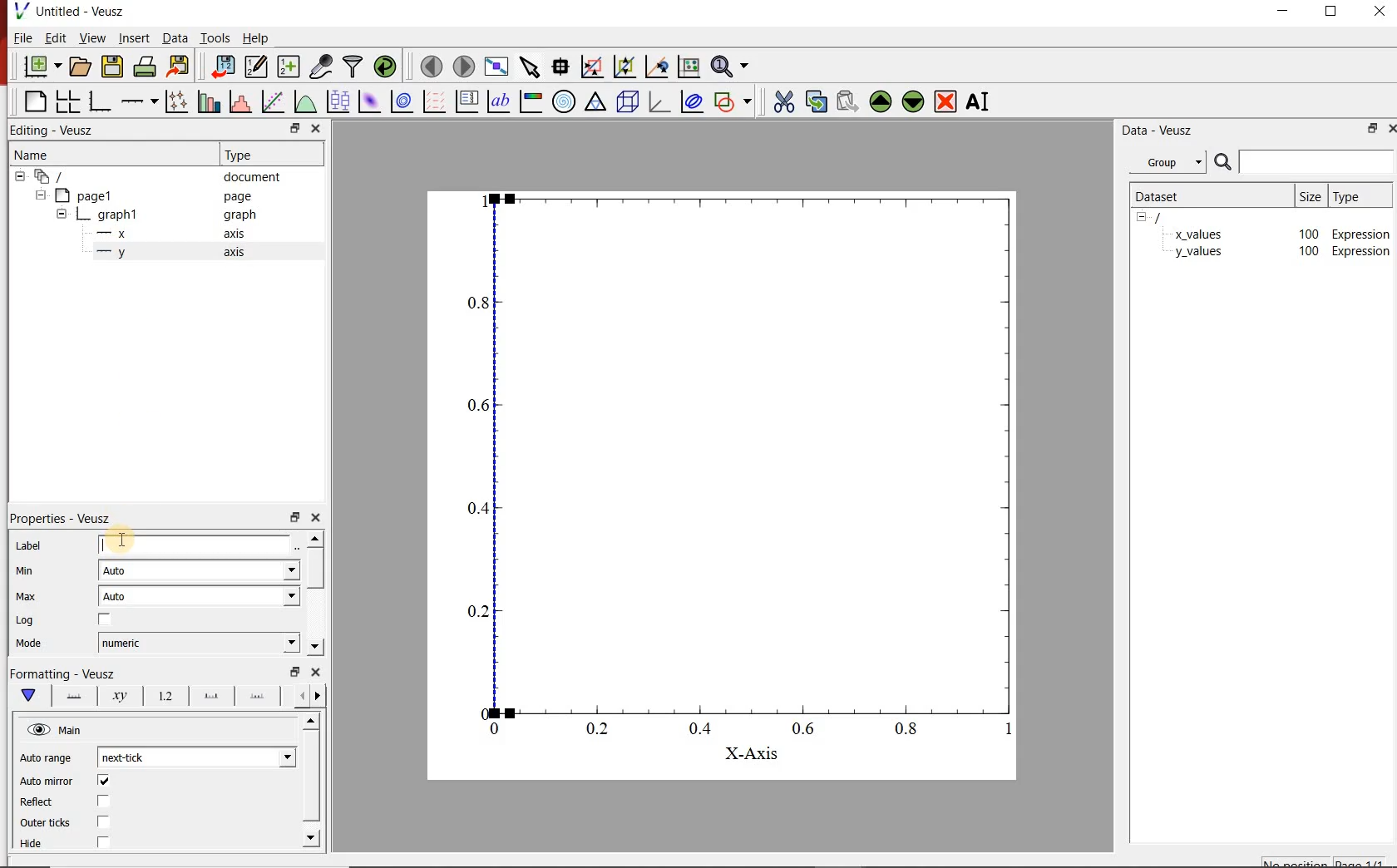  What do you see at coordinates (105, 800) in the screenshot?
I see `checkbox` at bounding box center [105, 800].